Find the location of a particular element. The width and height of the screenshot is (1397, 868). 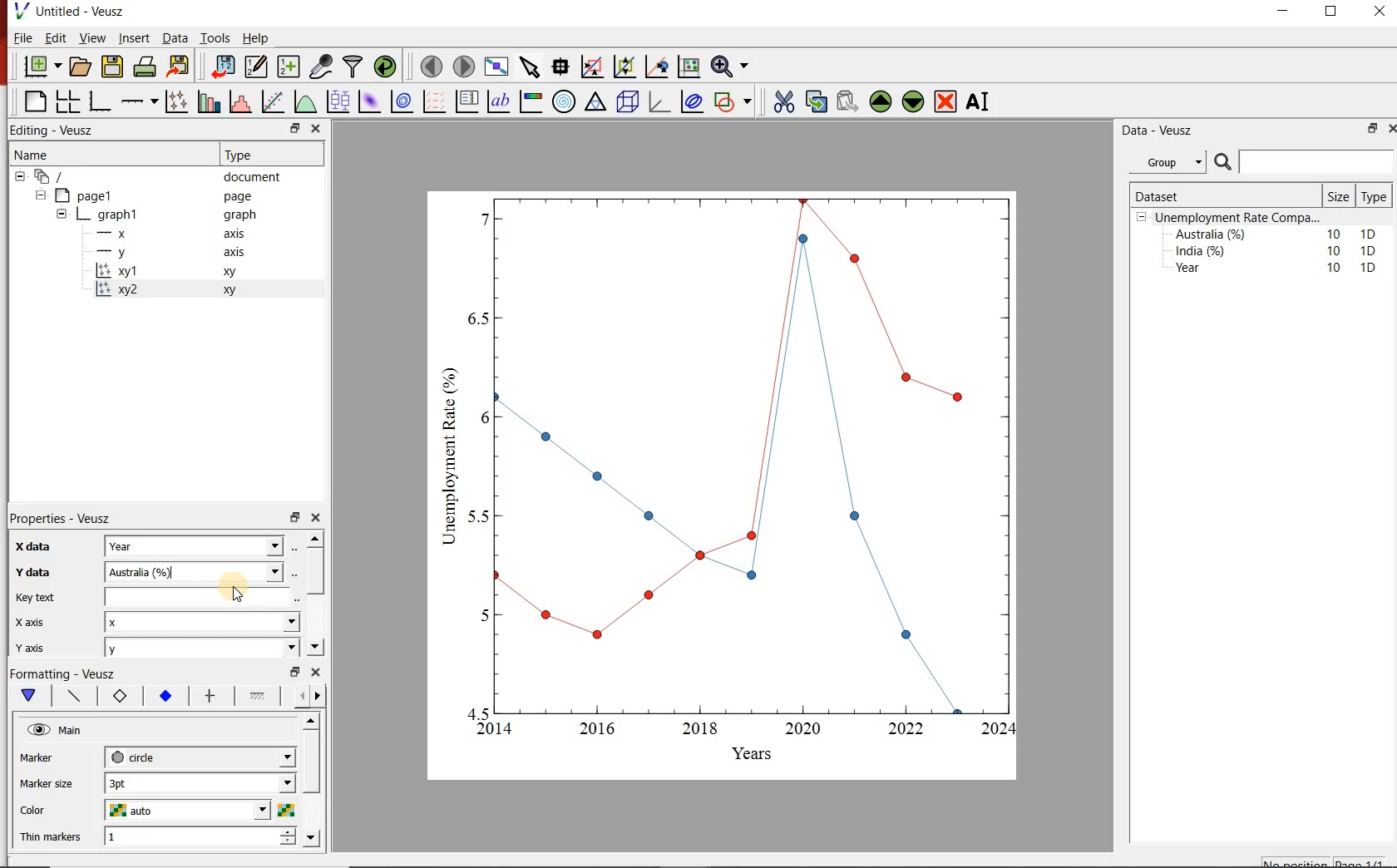

minimise is located at coordinates (297, 128).